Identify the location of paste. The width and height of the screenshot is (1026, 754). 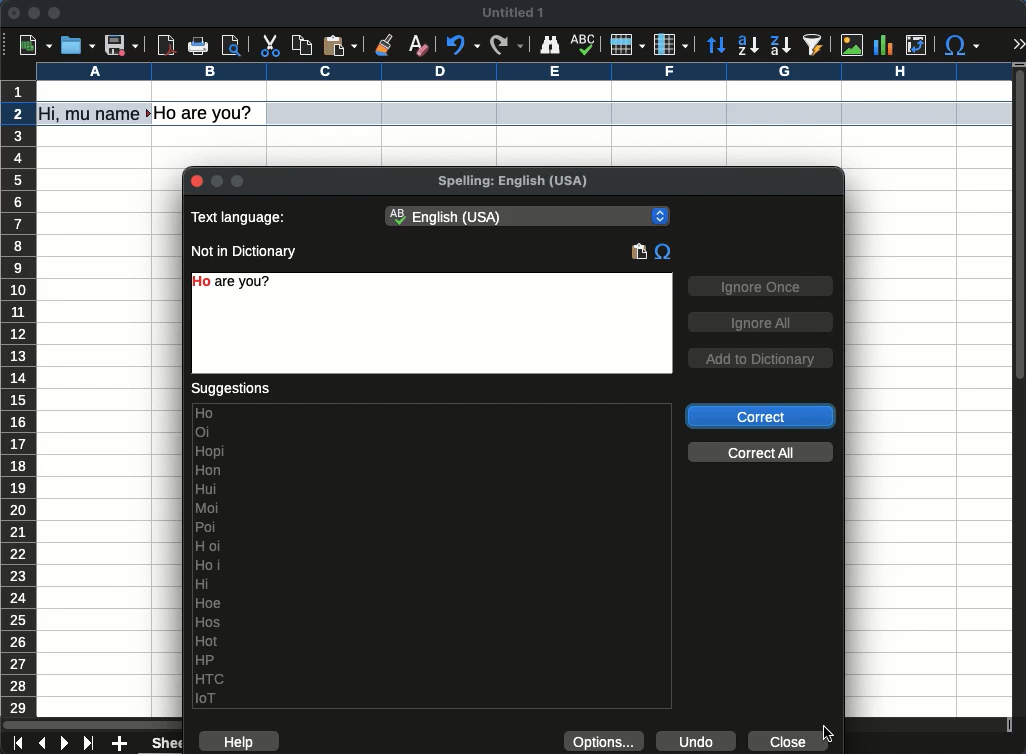
(639, 251).